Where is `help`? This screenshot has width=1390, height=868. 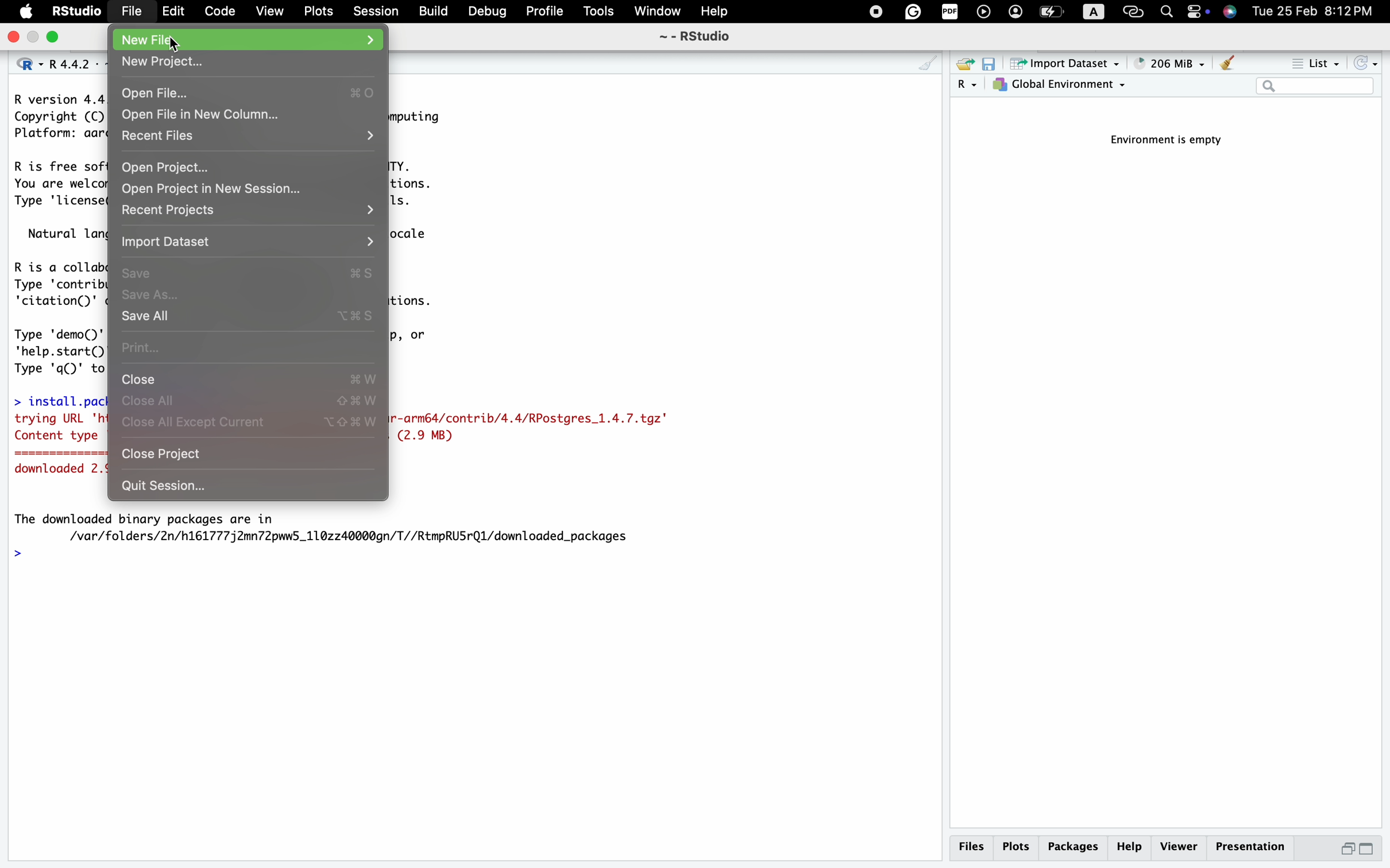
help is located at coordinates (1129, 848).